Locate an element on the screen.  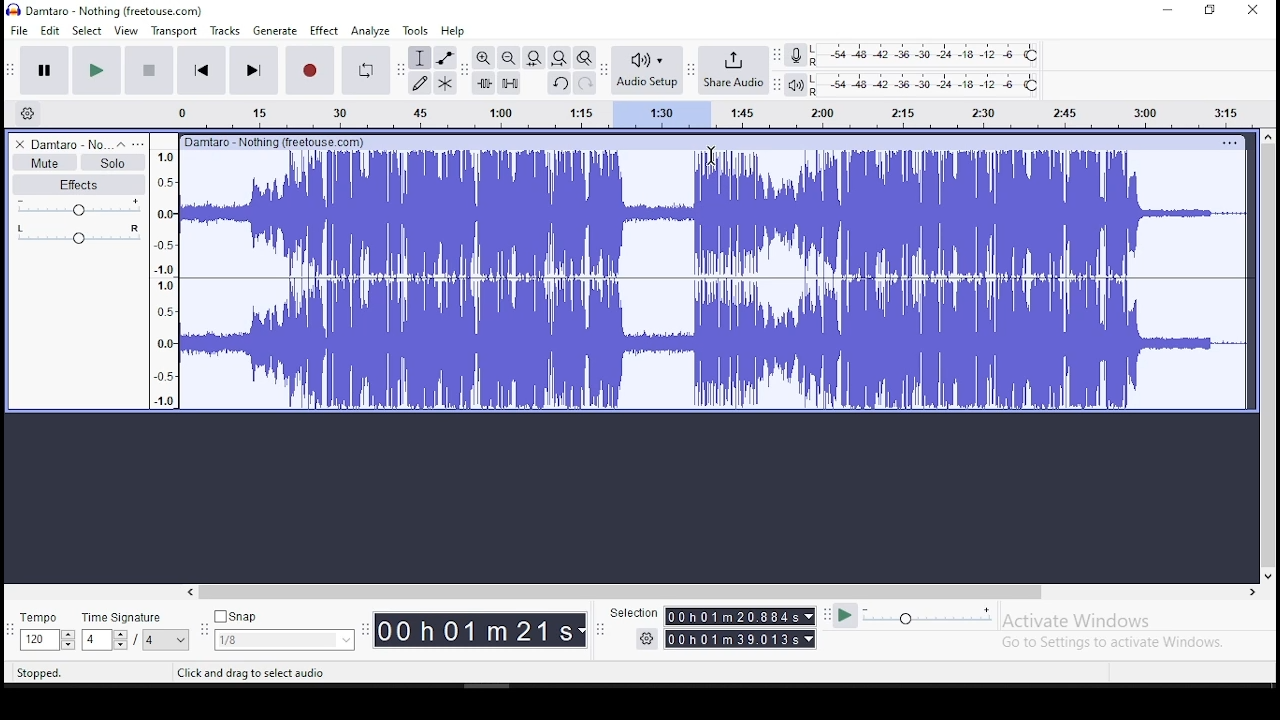
delete track is located at coordinates (21, 144).